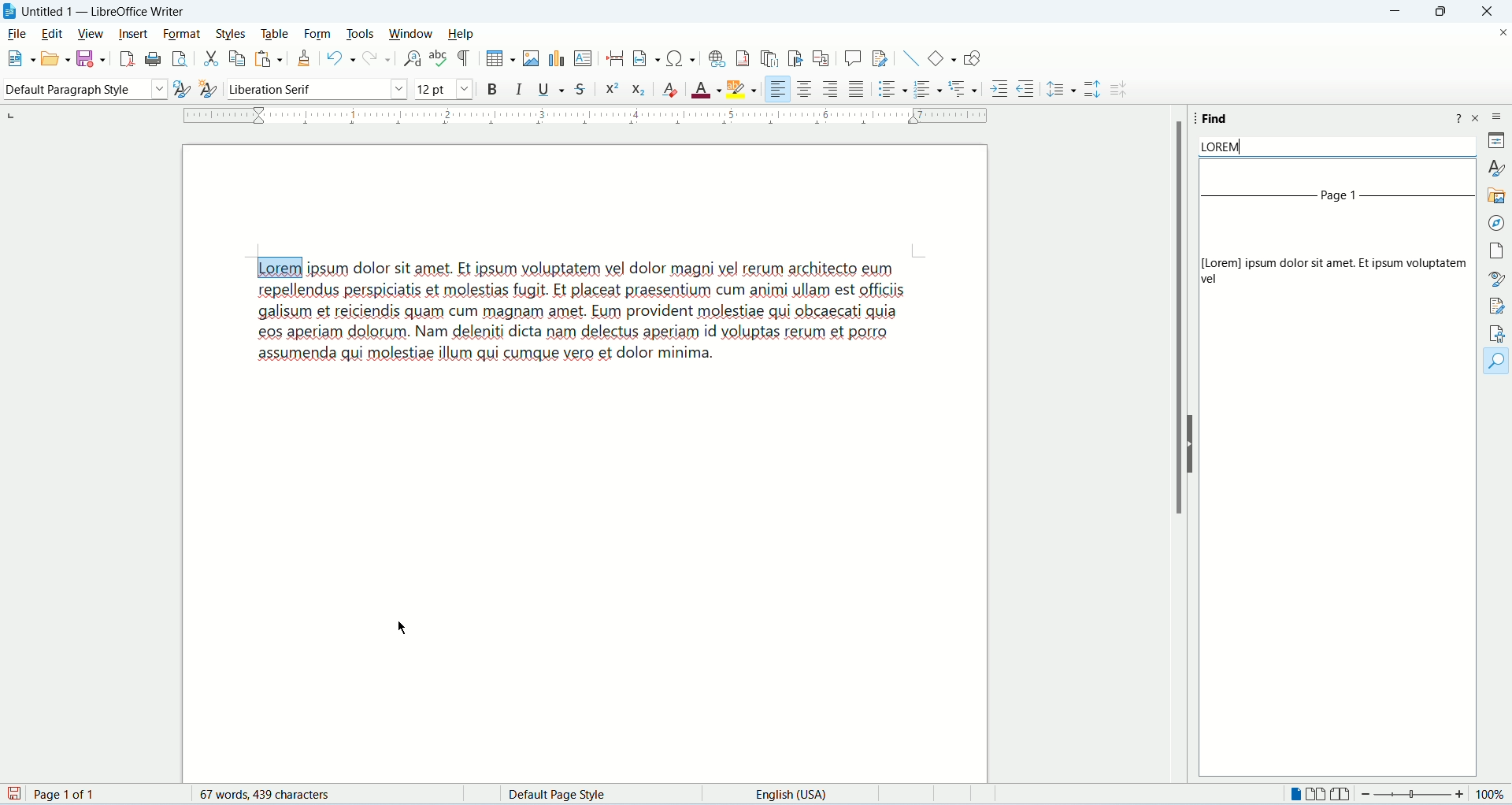 The image size is (1512, 805). Describe the element at coordinates (134, 34) in the screenshot. I see `insert` at that location.